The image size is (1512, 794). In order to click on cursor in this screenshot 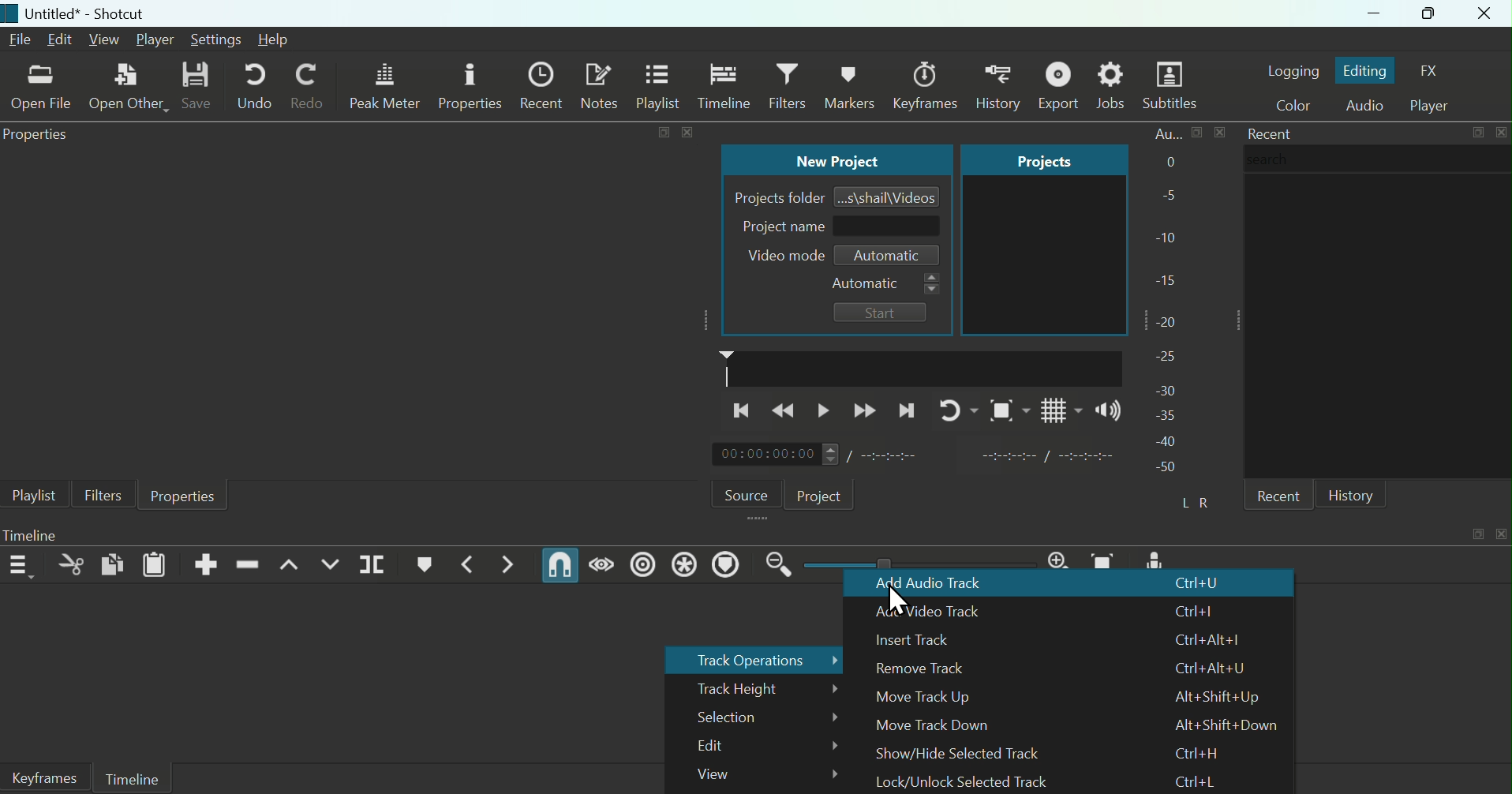, I will do `click(898, 601)`.